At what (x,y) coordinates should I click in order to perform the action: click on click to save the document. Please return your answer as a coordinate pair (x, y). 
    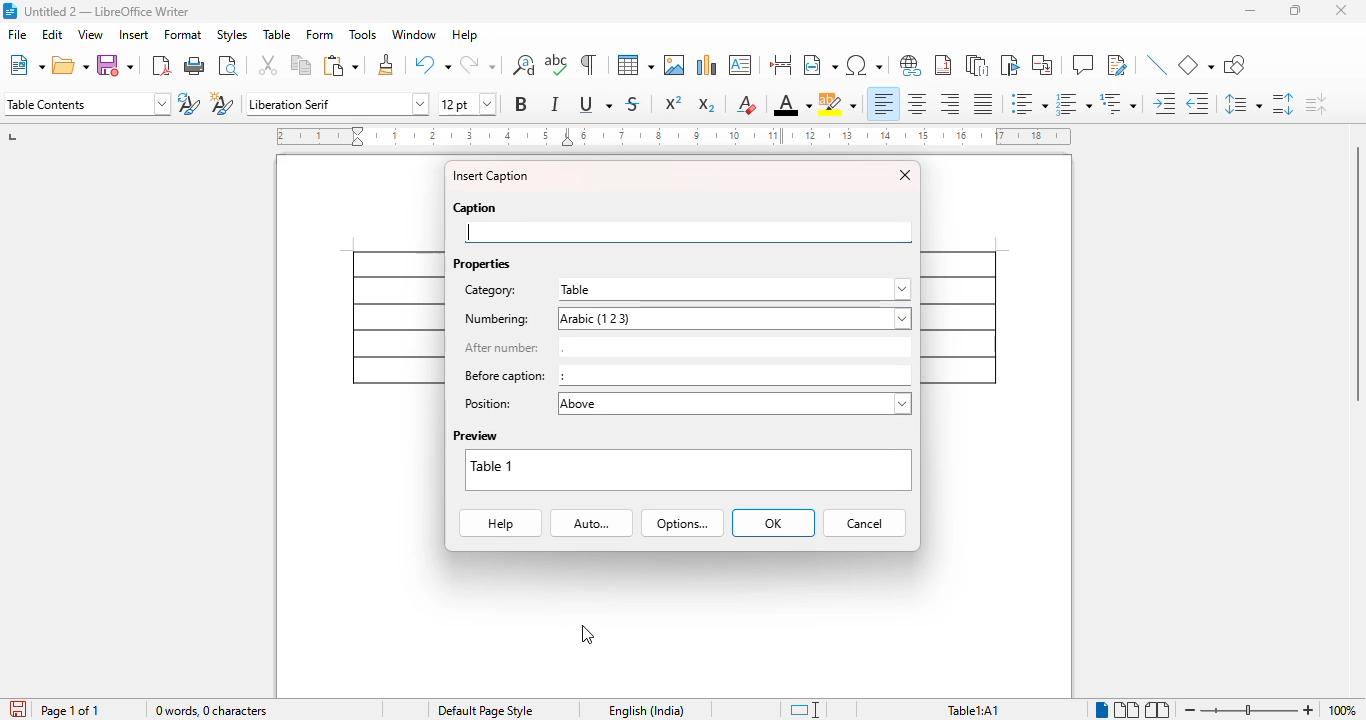
    Looking at the image, I should click on (19, 709).